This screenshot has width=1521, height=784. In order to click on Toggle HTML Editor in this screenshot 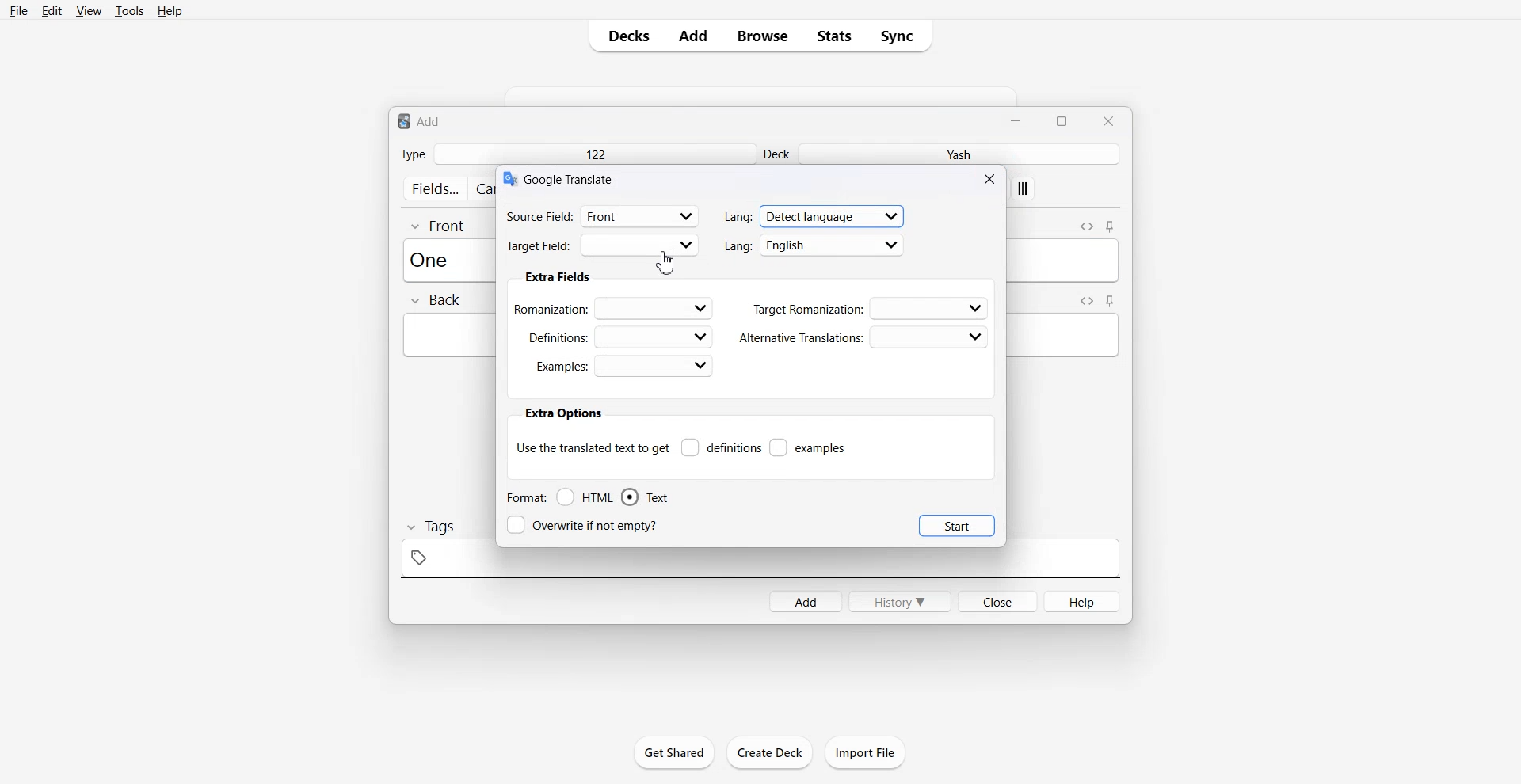, I will do `click(1086, 225)`.